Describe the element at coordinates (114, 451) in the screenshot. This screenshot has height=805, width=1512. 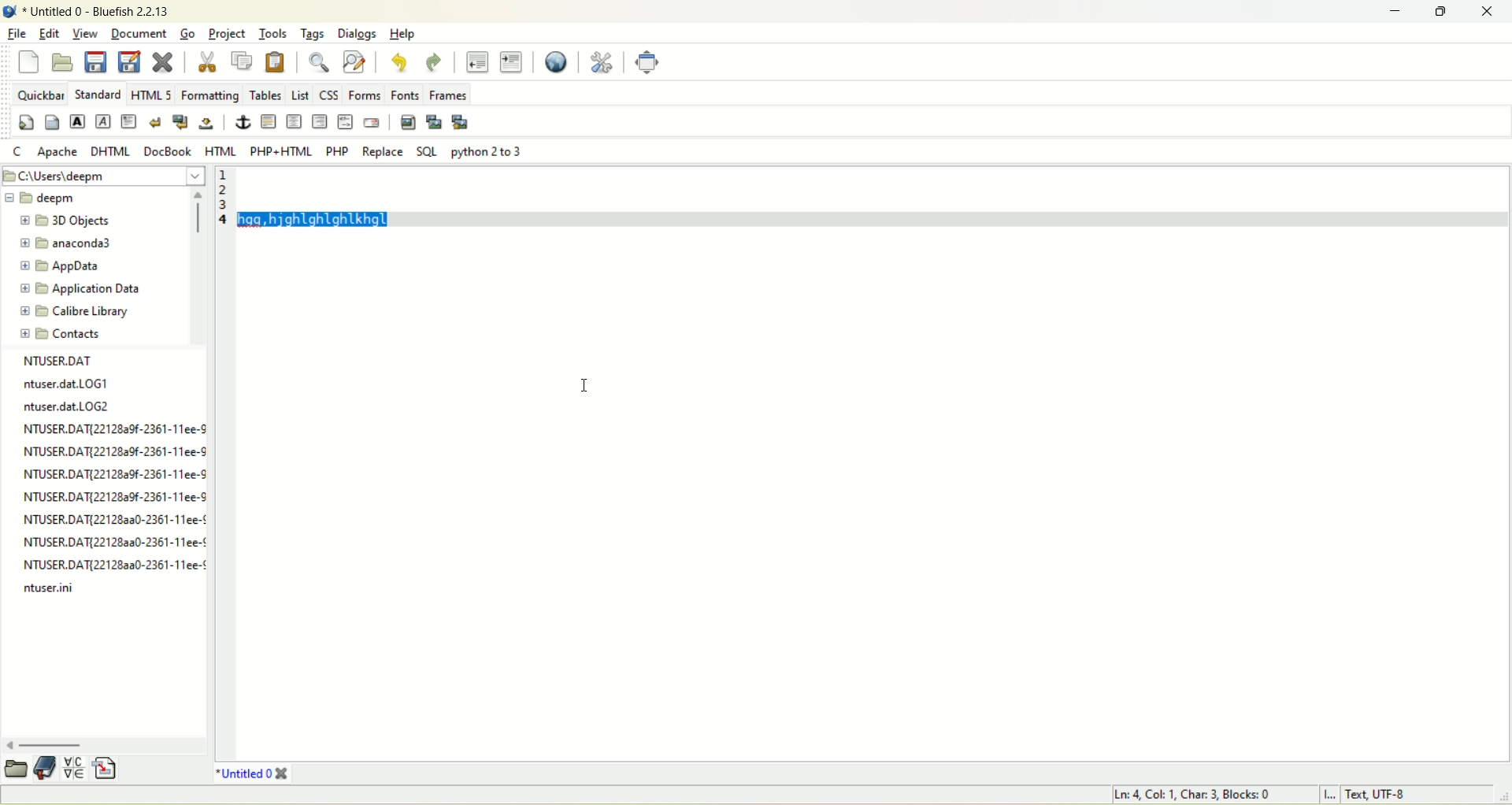
I see `NTUSER.DAT{2212829f-2361-11ee-9` at that location.